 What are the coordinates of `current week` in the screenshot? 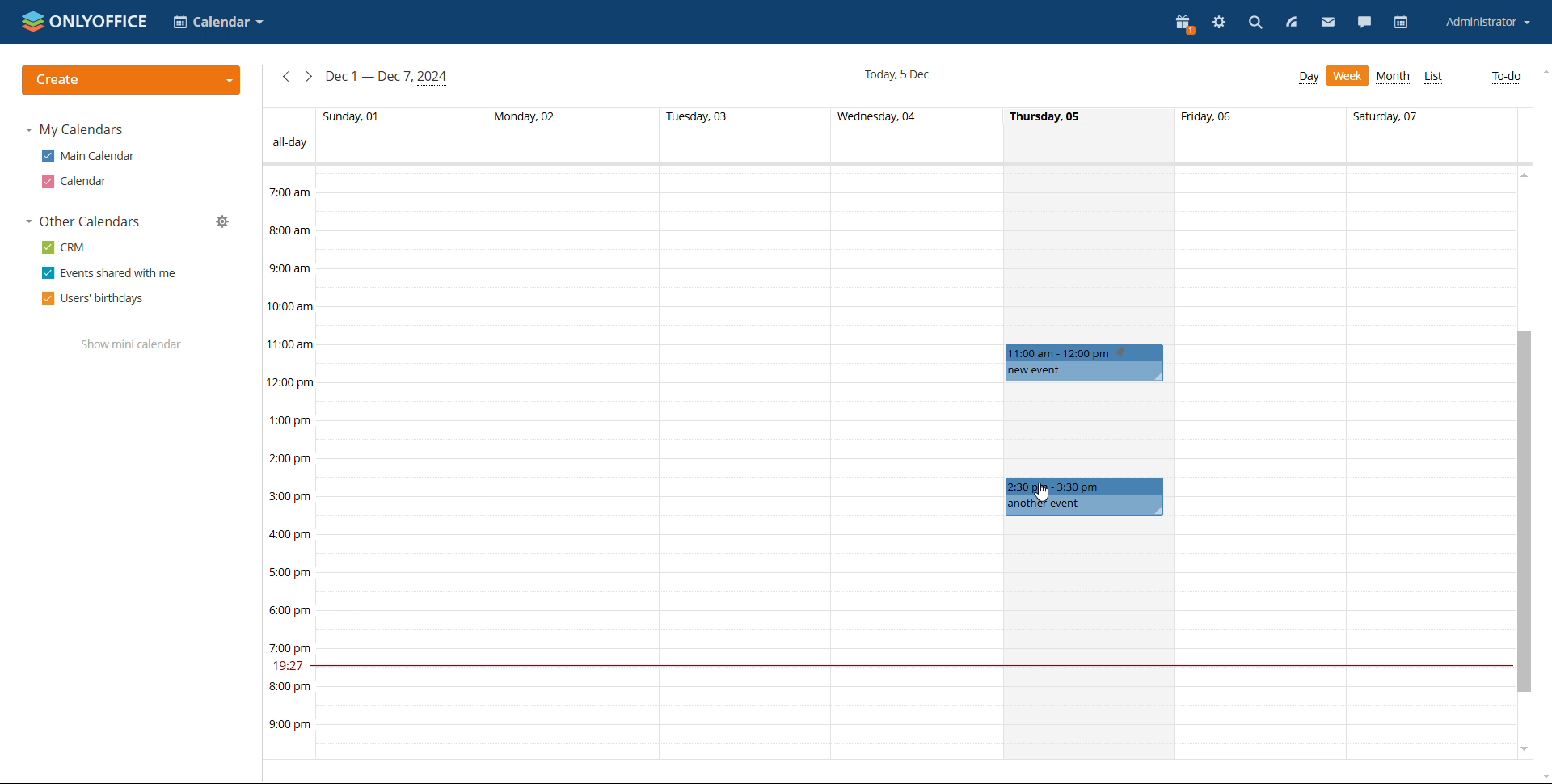 It's located at (387, 78).